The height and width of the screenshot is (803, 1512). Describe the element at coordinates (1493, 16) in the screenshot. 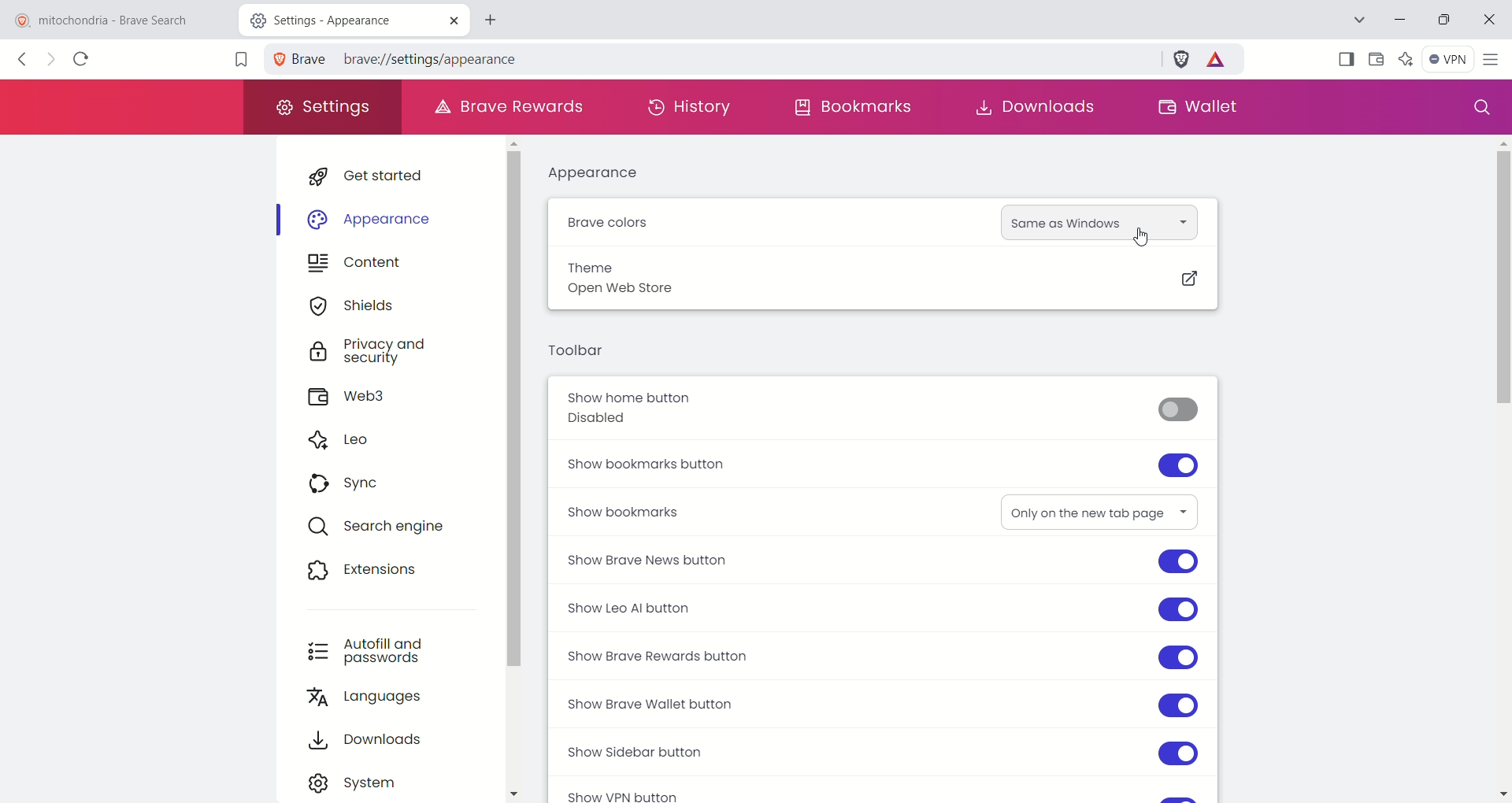

I see `close` at that location.